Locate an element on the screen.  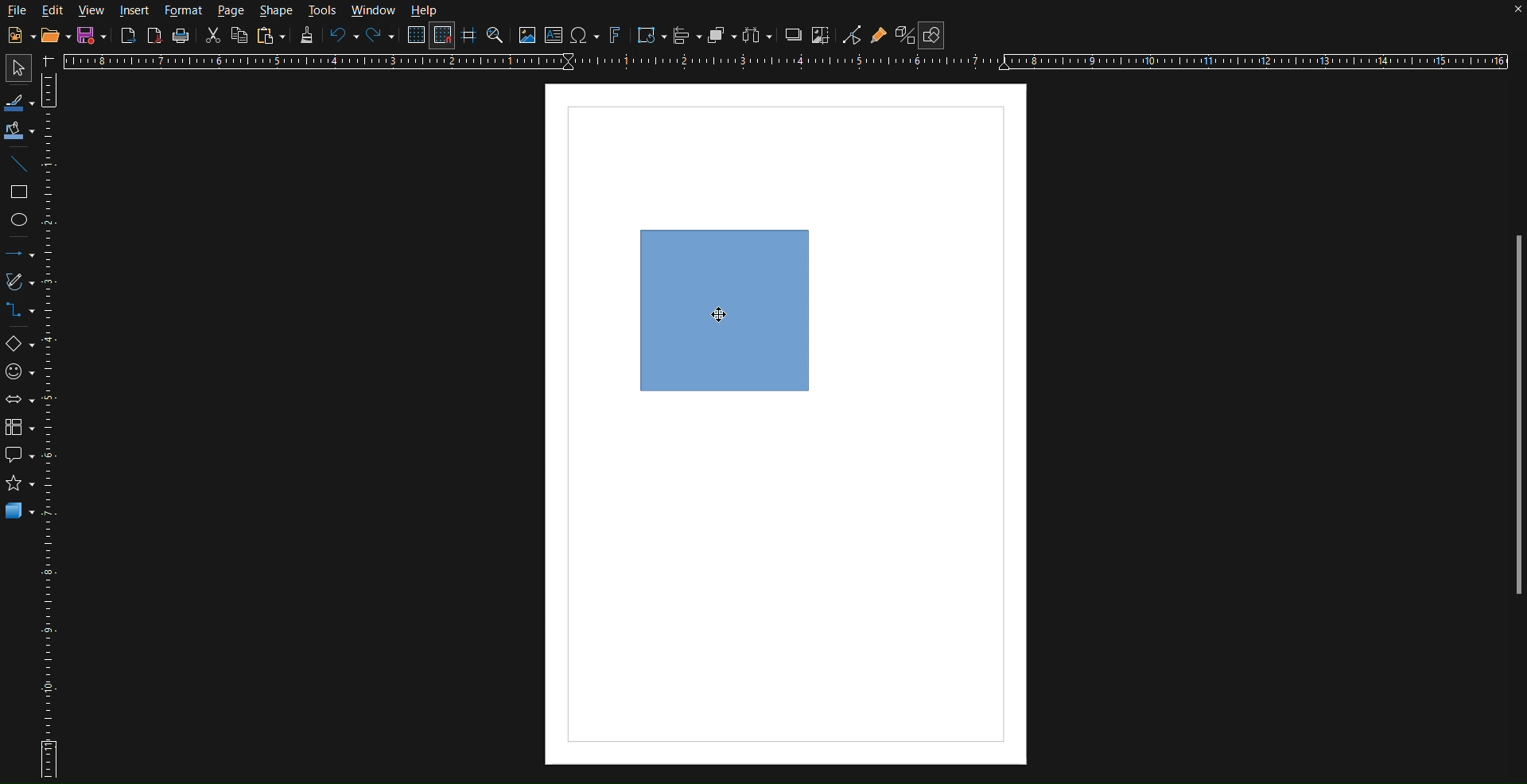
Arrange is located at coordinates (719, 36).